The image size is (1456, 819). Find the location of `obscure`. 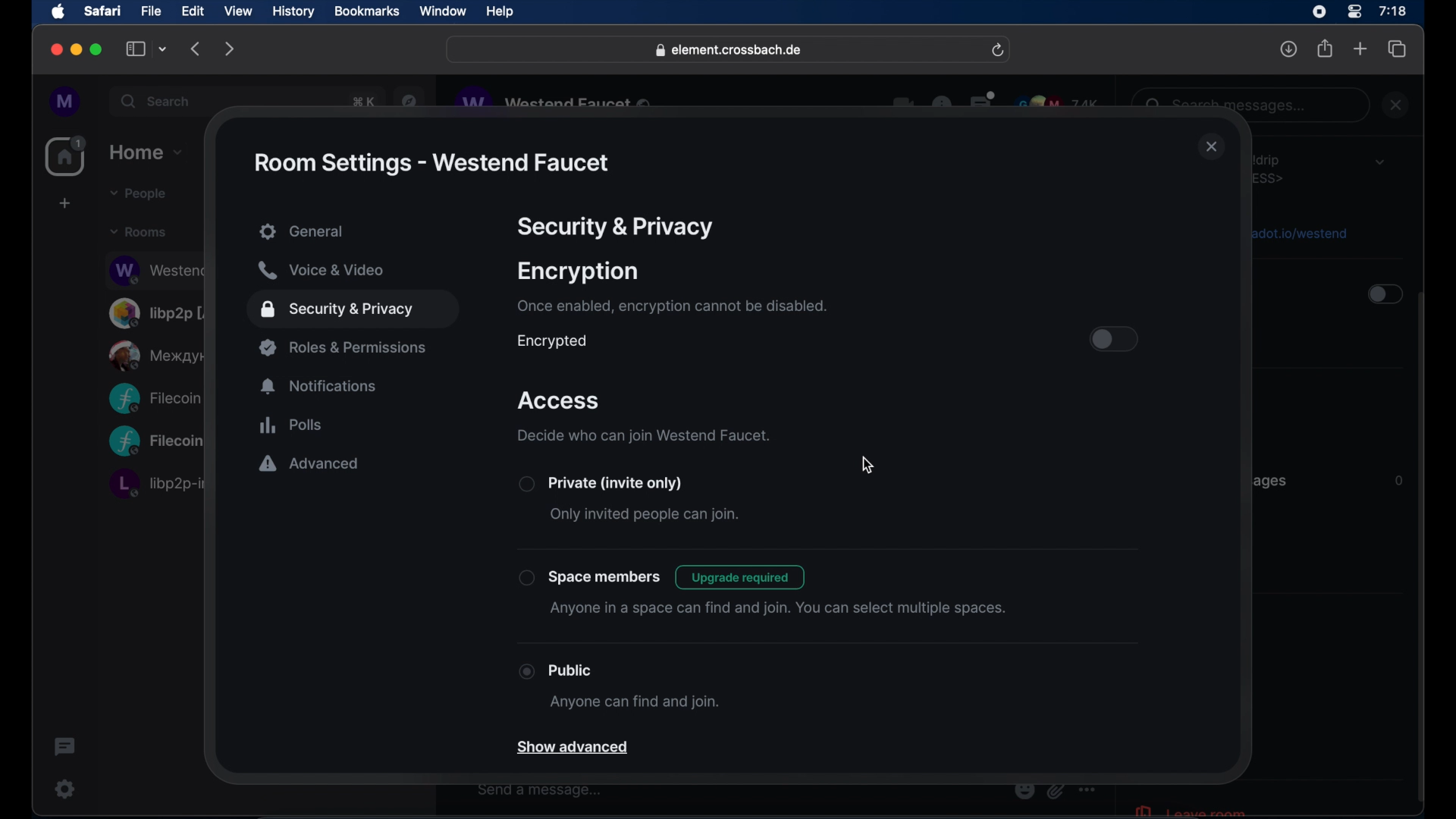

obscure is located at coordinates (1298, 232).